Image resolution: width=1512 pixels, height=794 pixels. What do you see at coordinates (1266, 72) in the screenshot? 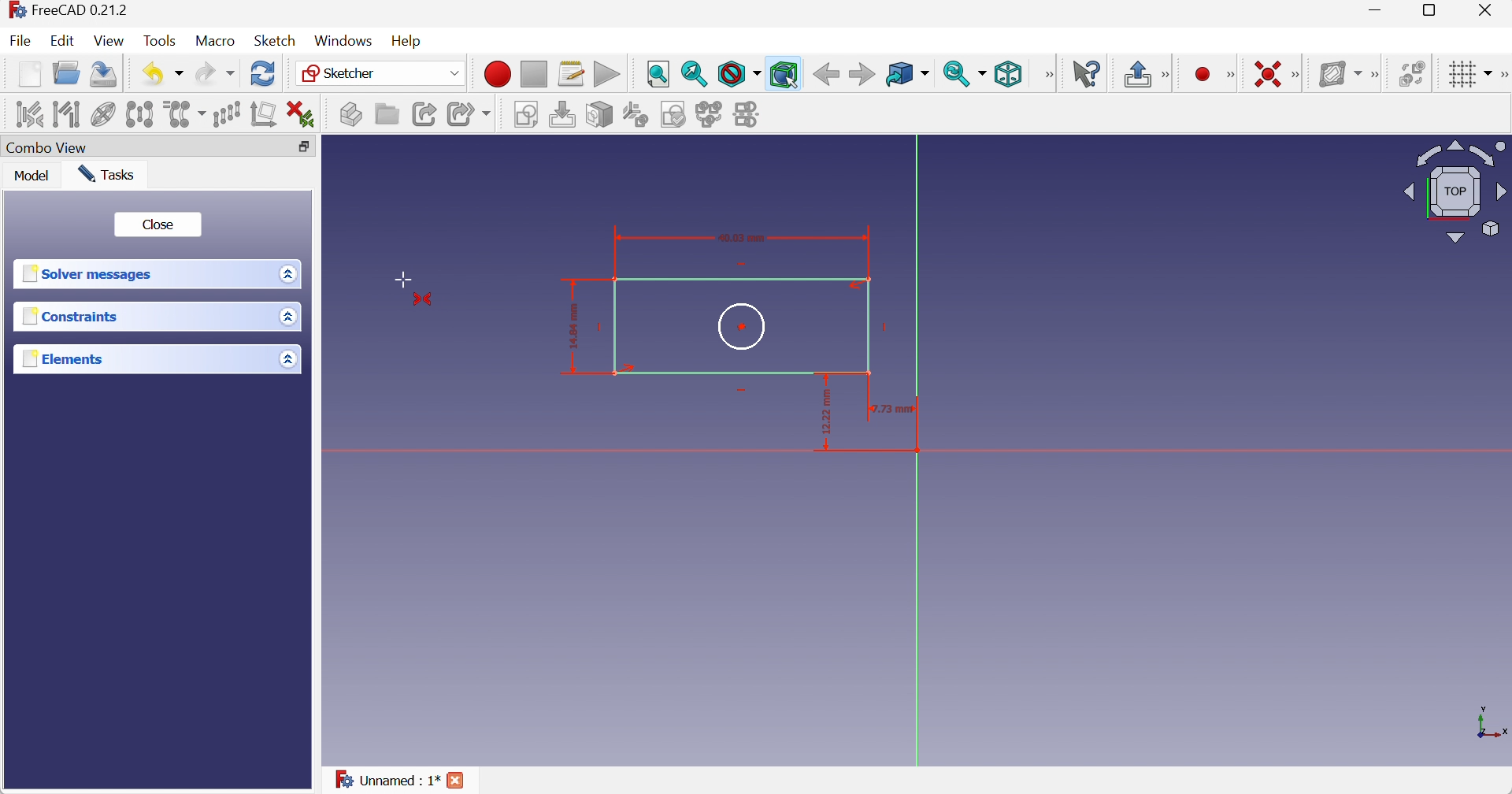
I see `Constrain coincident` at bounding box center [1266, 72].